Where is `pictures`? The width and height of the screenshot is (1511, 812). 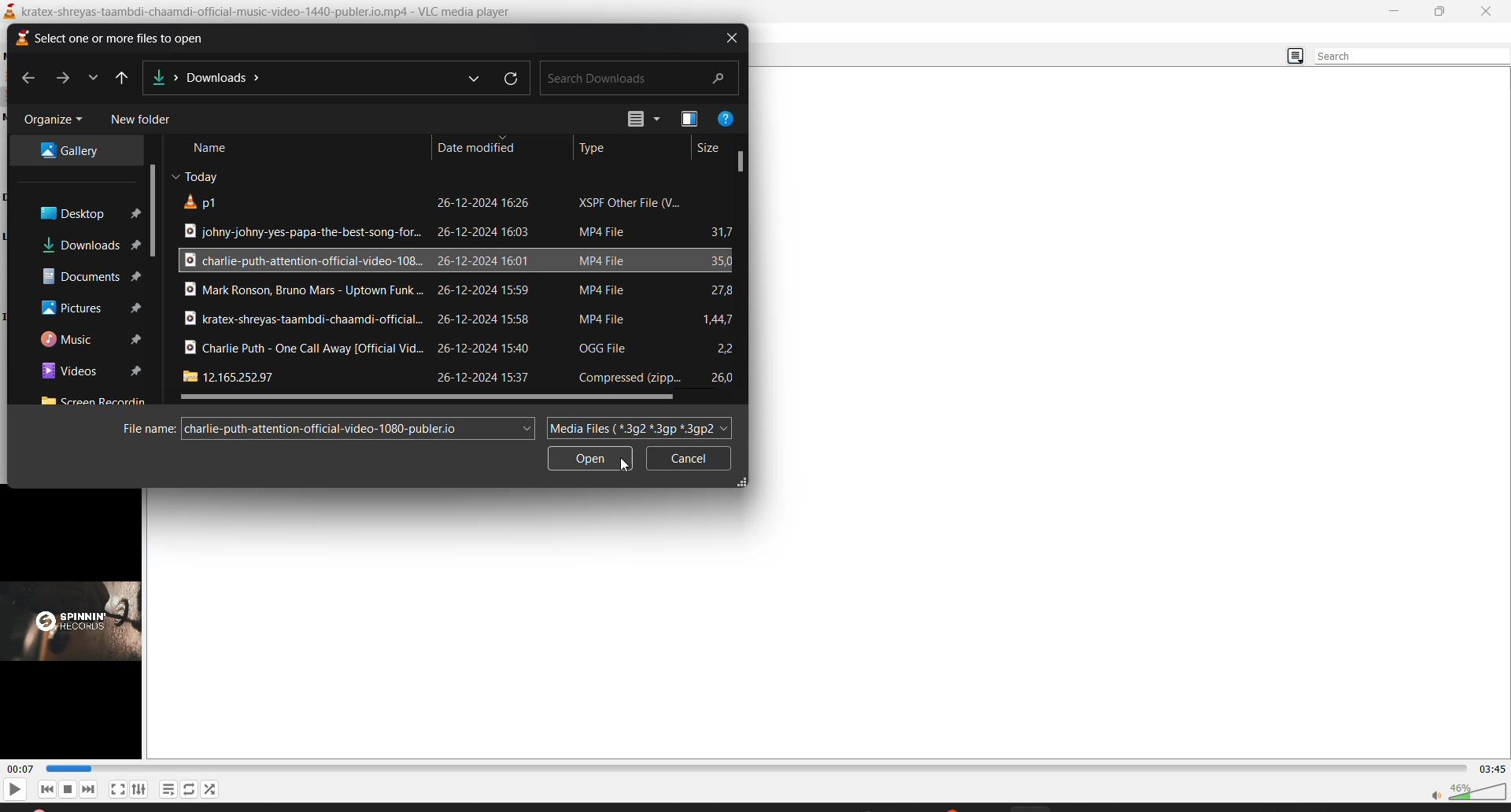 pictures is located at coordinates (100, 308).